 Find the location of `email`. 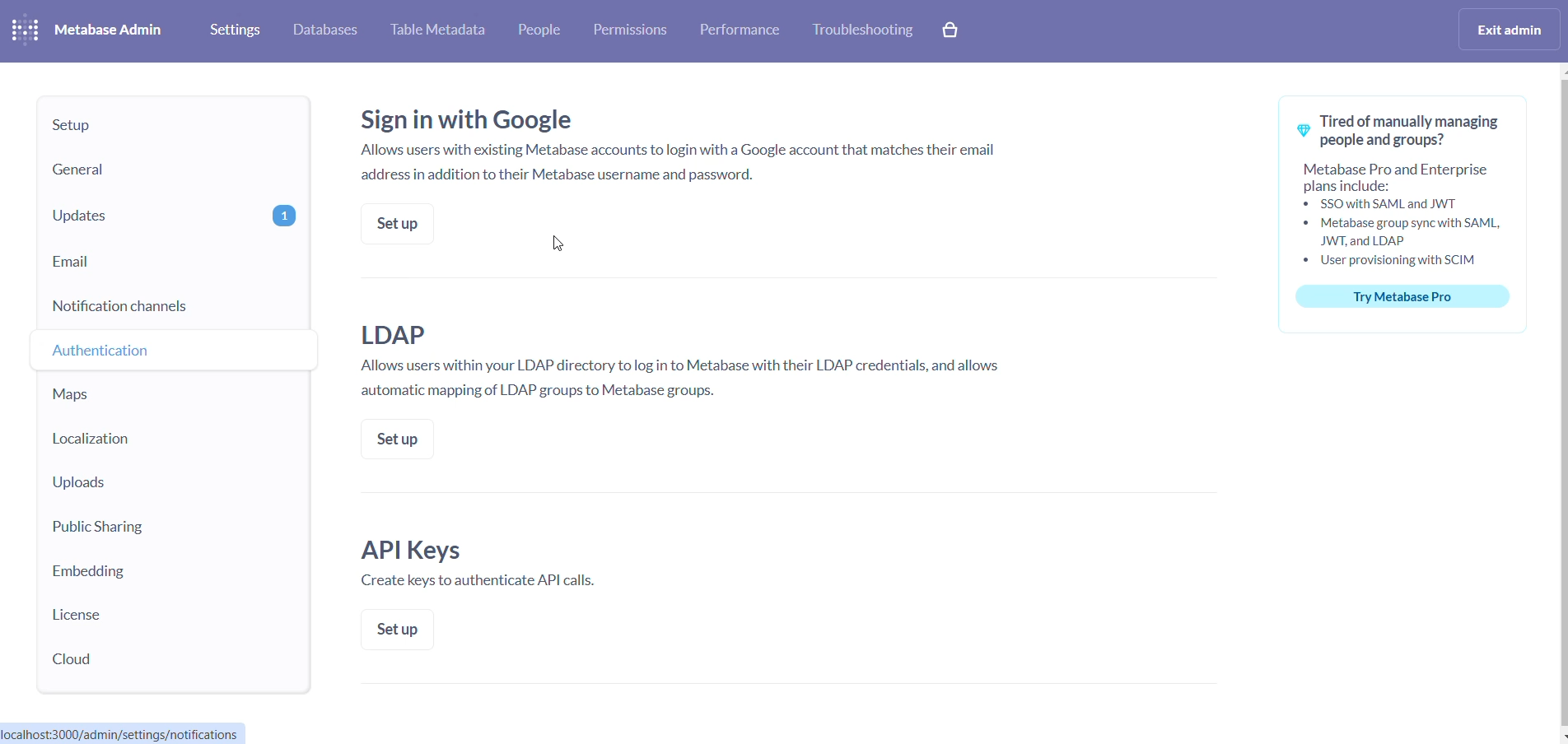

email is located at coordinates (170, 263).